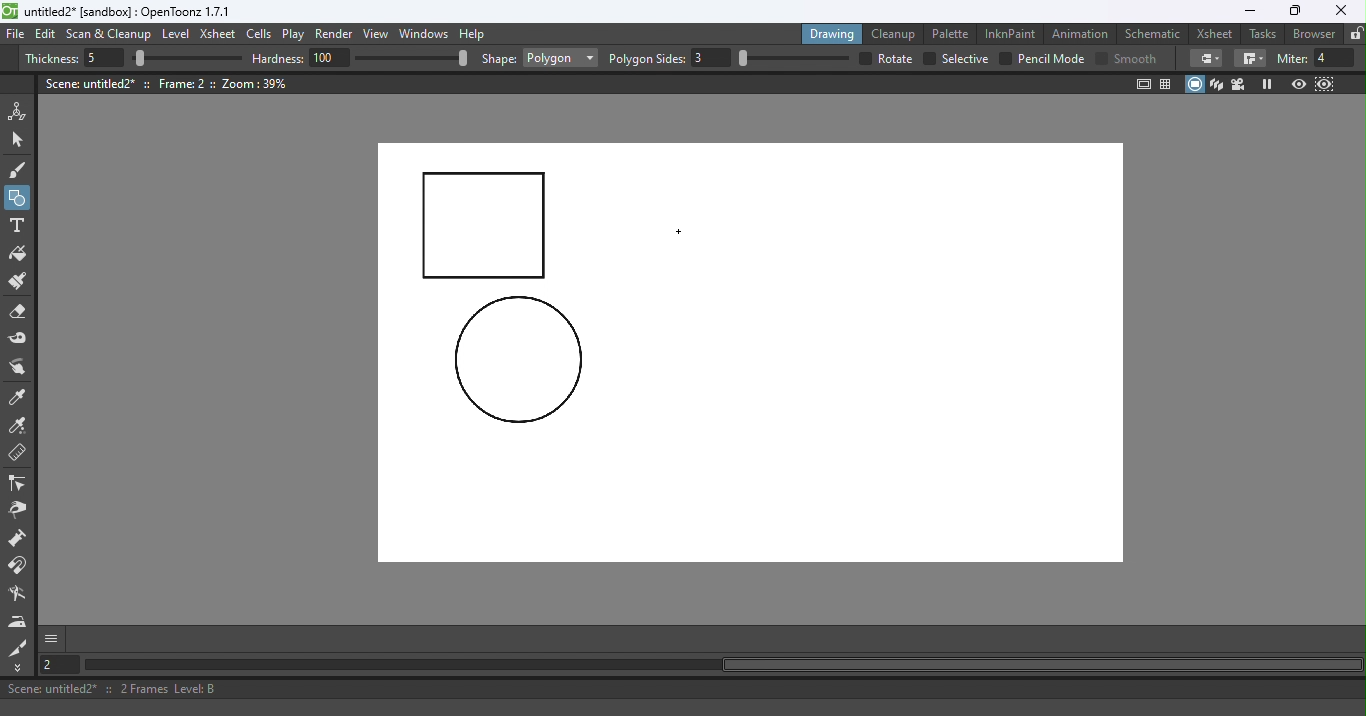 The height and width of the screenshot is (716, 1366). Describe the element at coordinates (51, 638) in the screenshot. I see `More options` at that location.